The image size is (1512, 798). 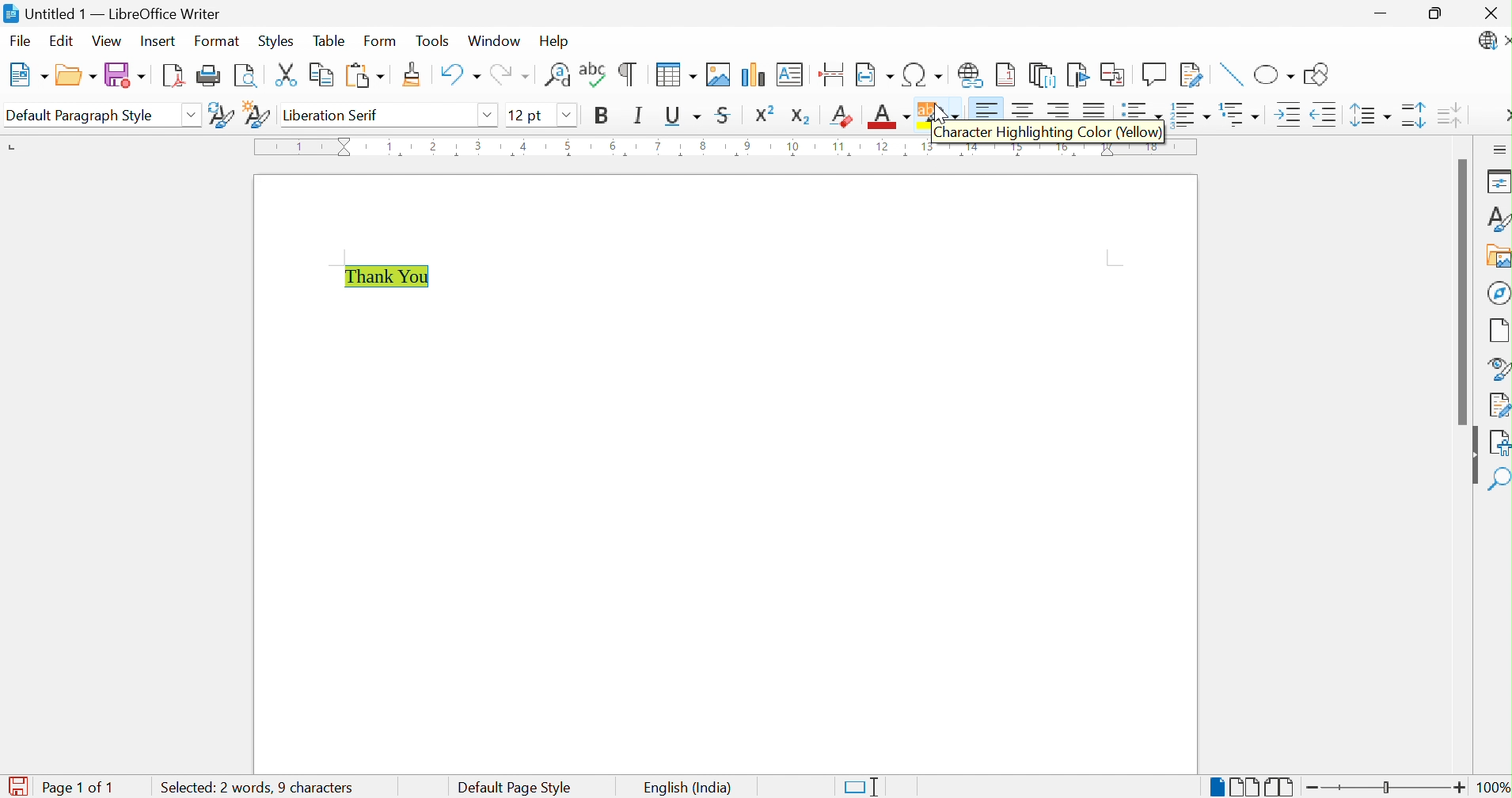 I want to click on Insert Footnote, so click(x=1006, y=75).